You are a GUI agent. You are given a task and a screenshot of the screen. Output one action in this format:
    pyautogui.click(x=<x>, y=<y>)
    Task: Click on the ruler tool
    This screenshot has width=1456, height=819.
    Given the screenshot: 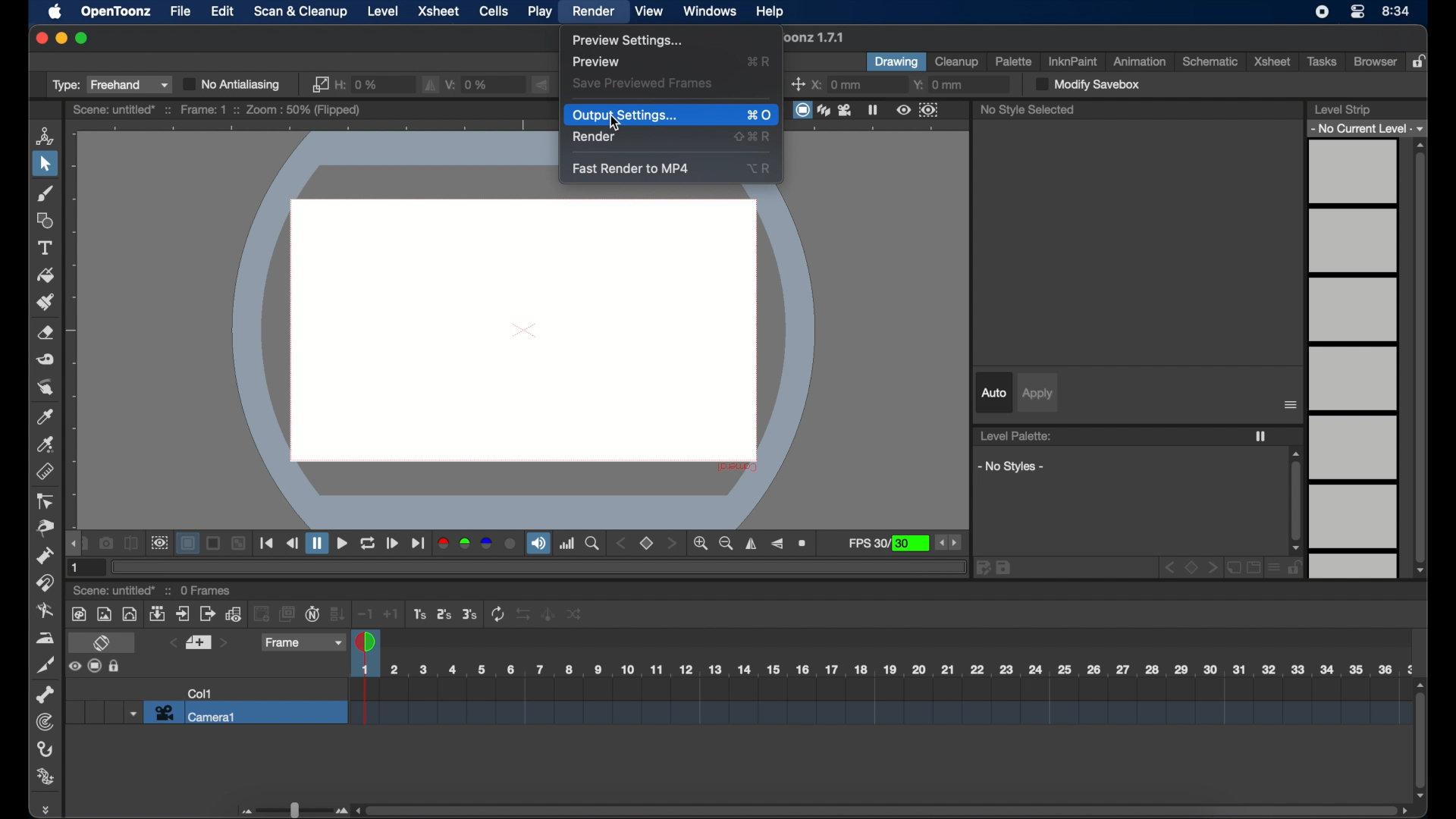 What is the action you would take?
    pyautogui.click(x=45, y=470)
    